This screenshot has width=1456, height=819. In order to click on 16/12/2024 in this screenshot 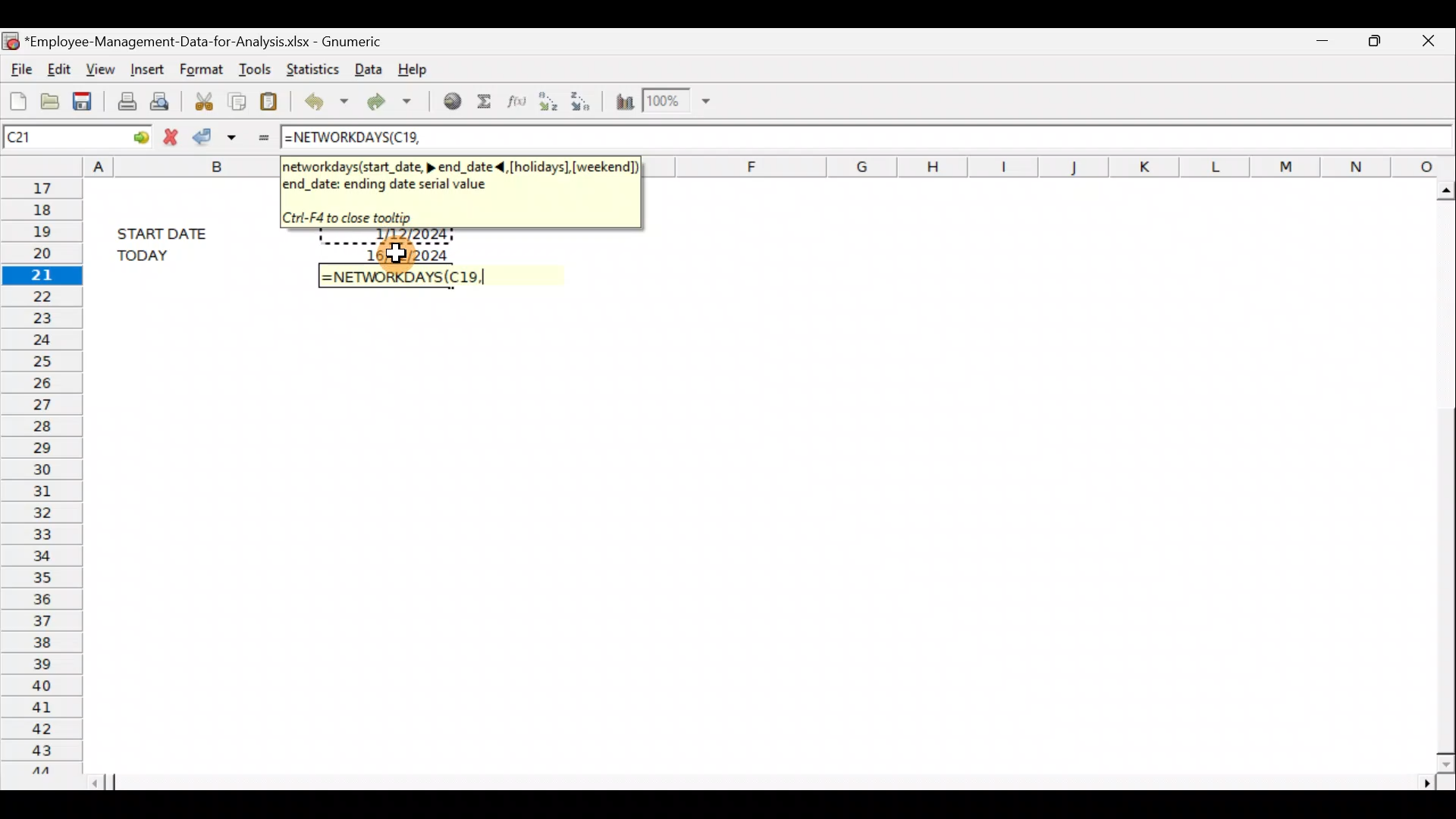, I will do `click(406, 253)`.